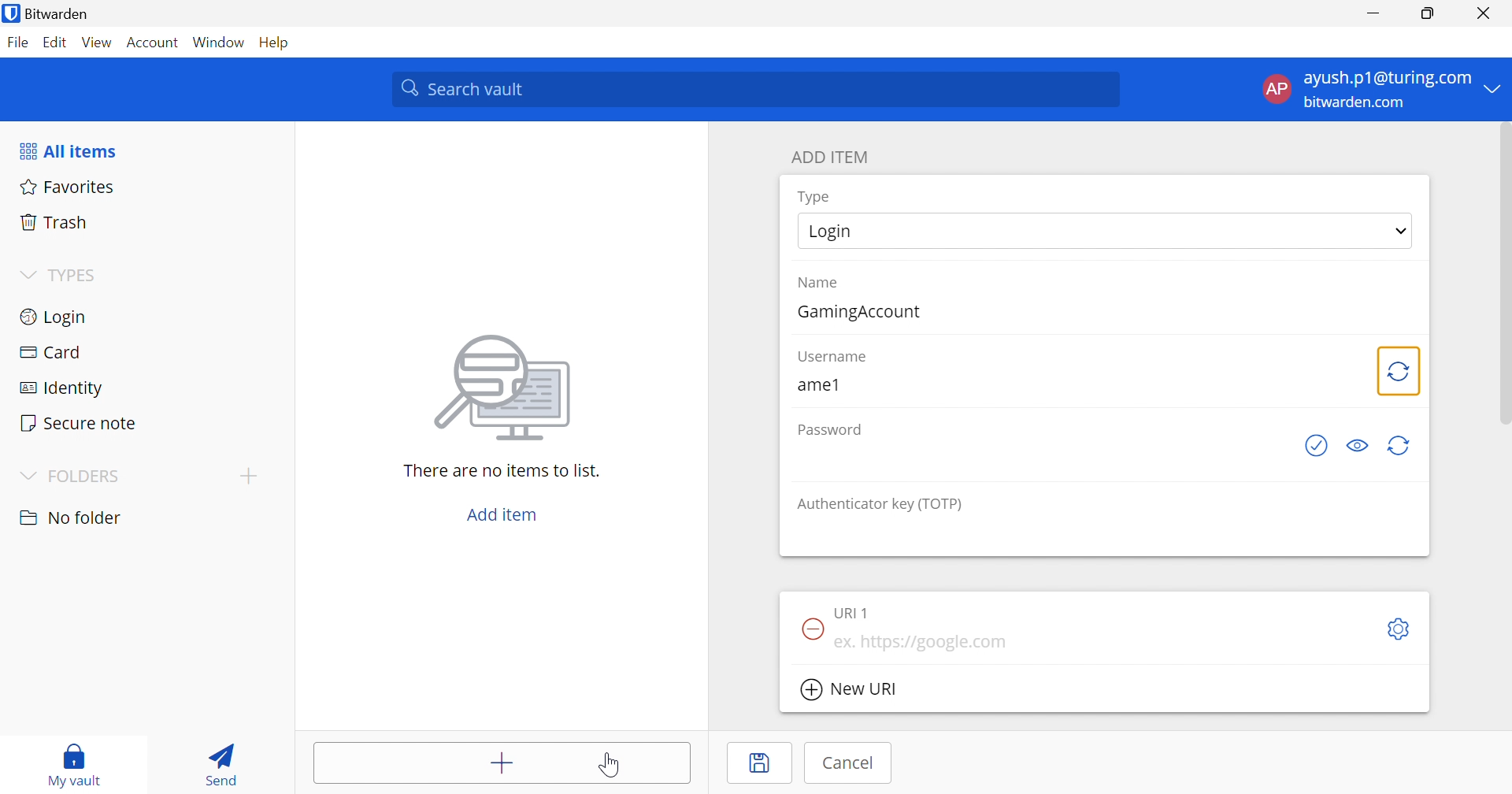  I want to click on All items, so click(67, 151).